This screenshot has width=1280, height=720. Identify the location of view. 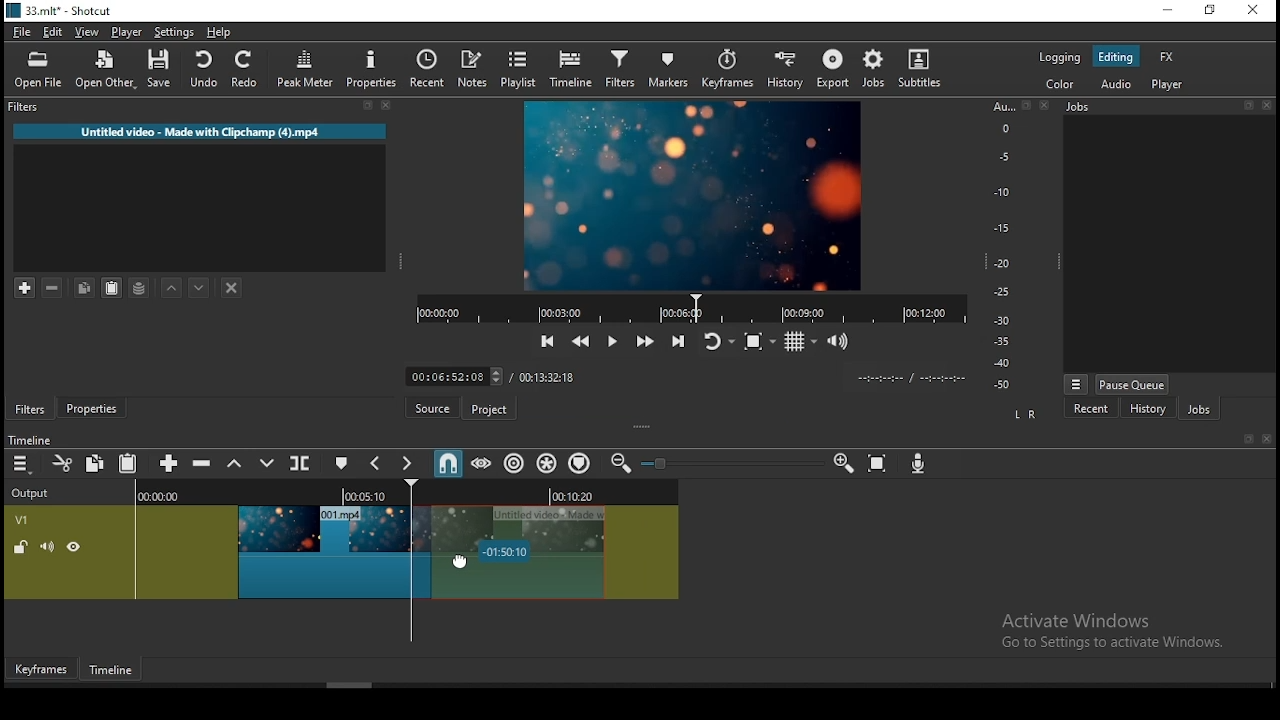
(88, 31).